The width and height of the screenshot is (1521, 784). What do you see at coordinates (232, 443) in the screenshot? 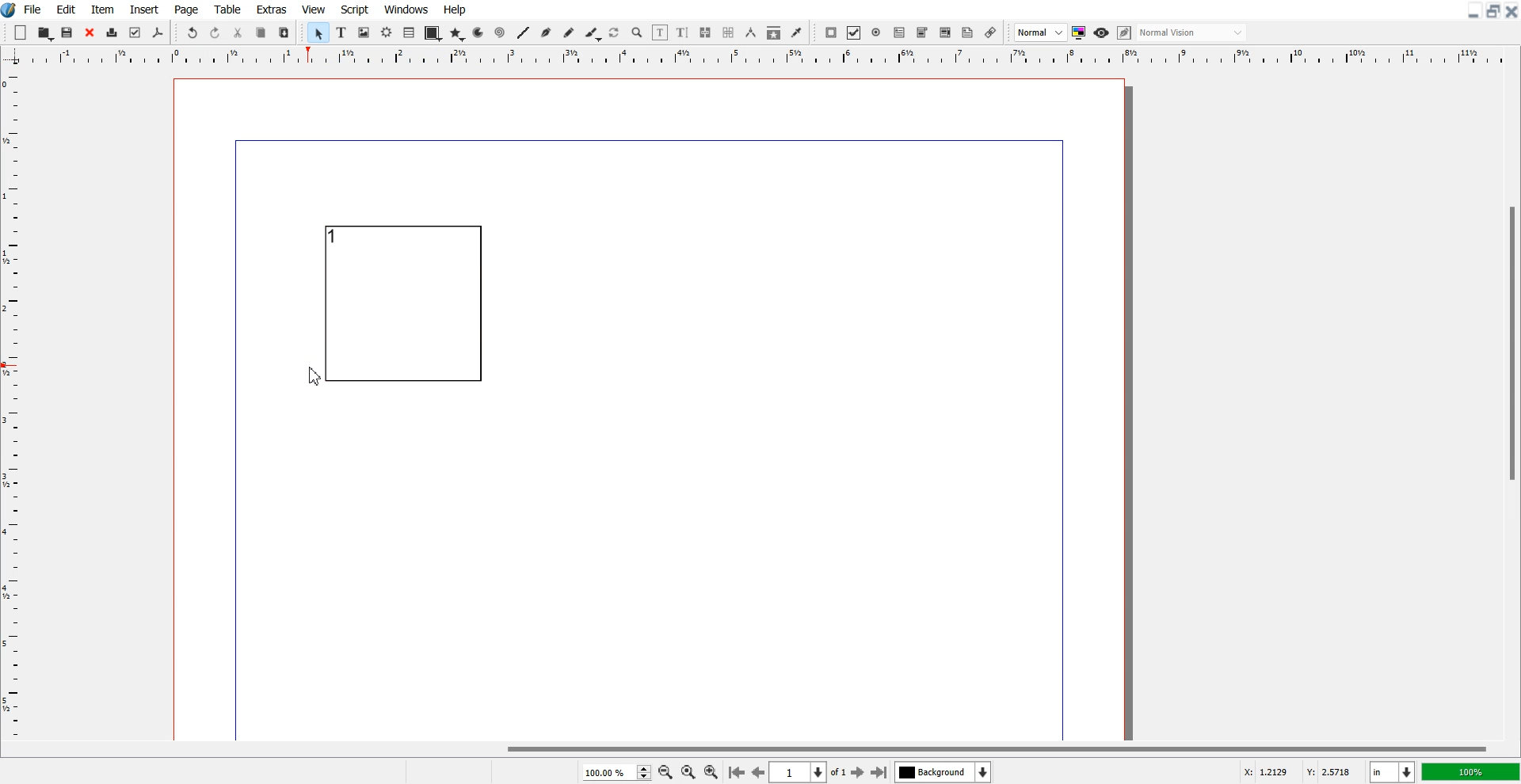
I see `margin` at bounding box center [232, 443].